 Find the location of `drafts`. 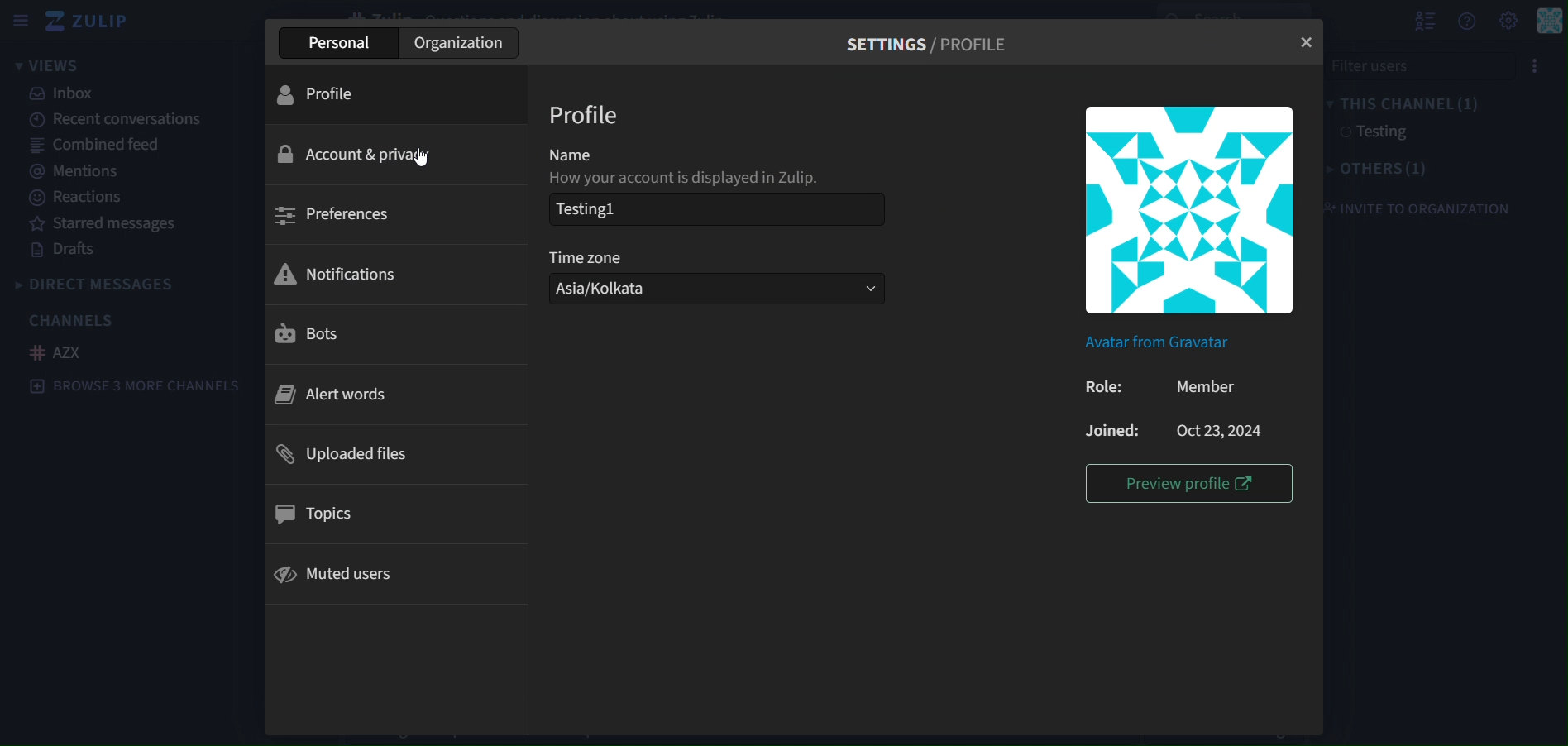

drafts is located at coordinates (64, 250).